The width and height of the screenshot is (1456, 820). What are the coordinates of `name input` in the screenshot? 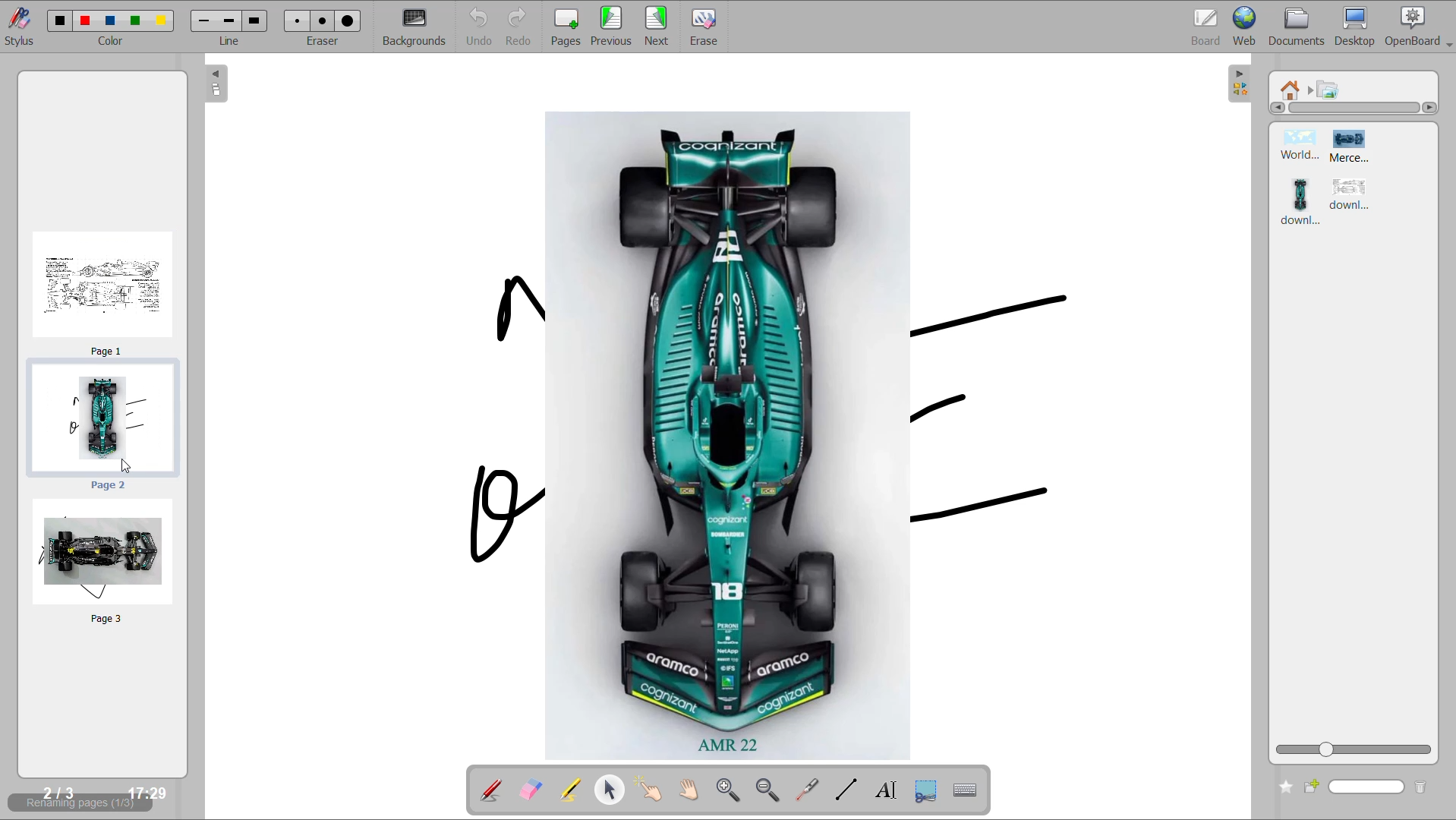 It's located at (1369, 785).